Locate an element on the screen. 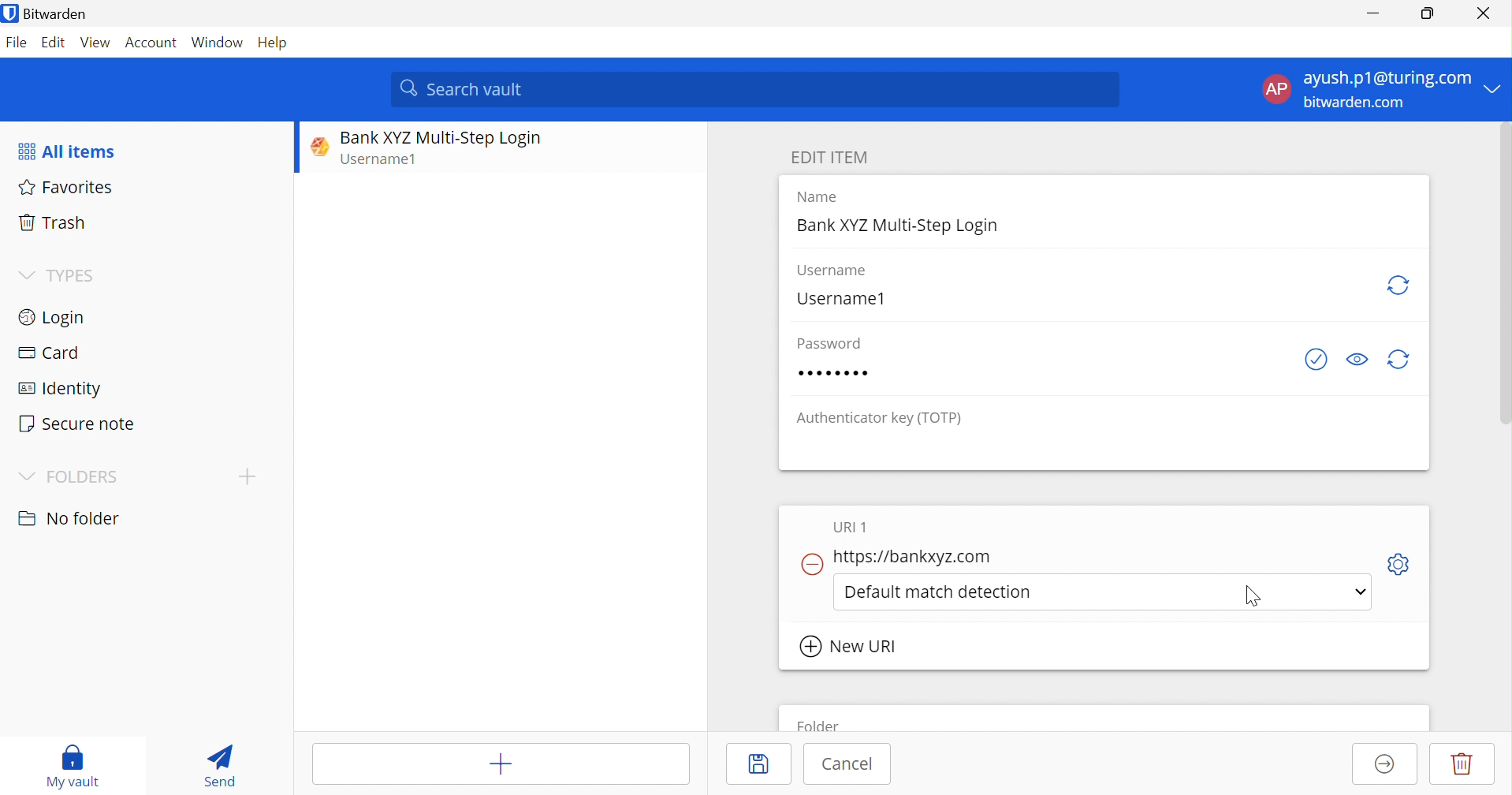 The width and height of the screenshot is (1512, 795). Edit is located at coordinates (53, 43).